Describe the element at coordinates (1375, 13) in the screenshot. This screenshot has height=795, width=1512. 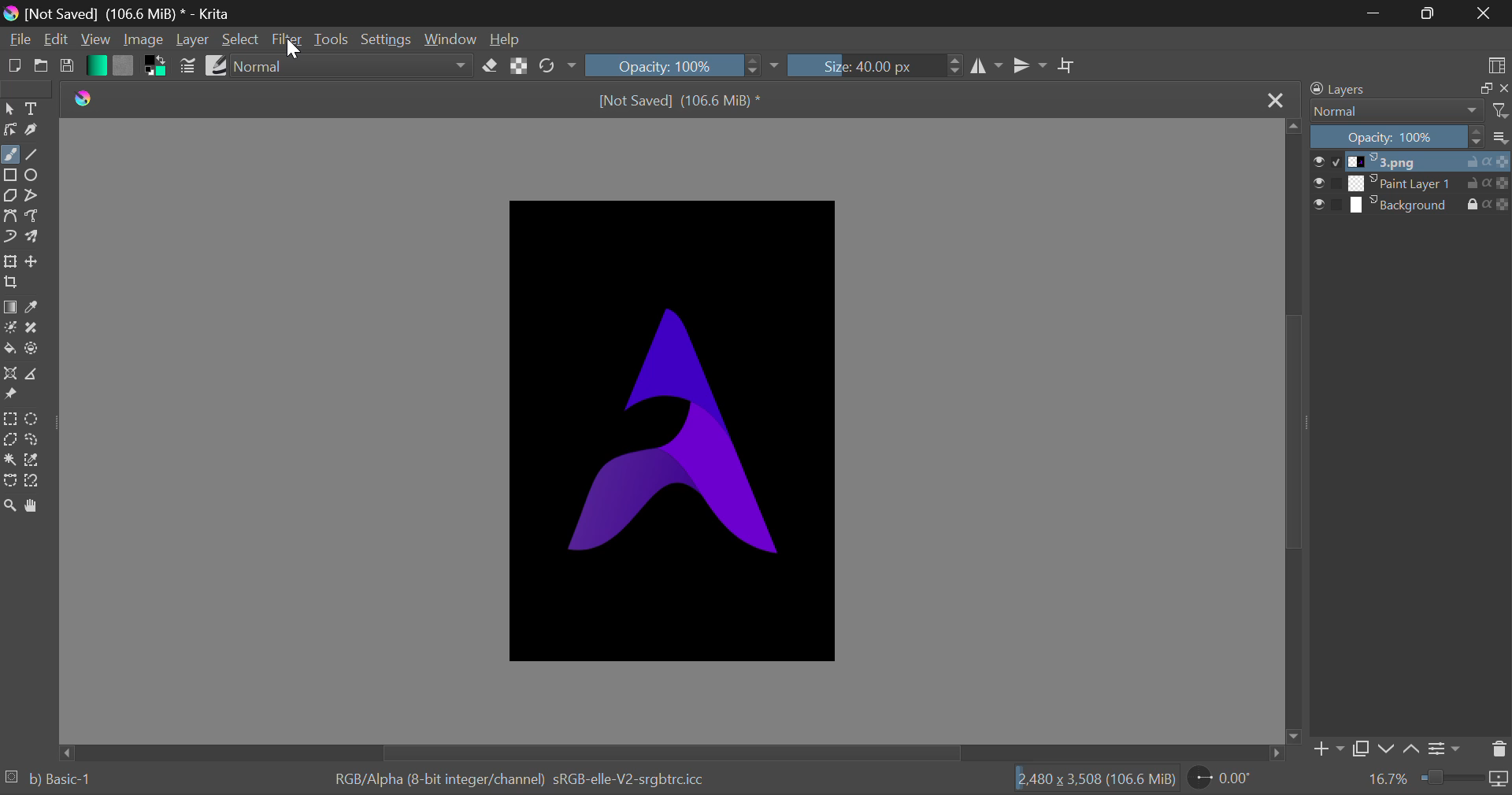
I see `Restore Down` at that location.